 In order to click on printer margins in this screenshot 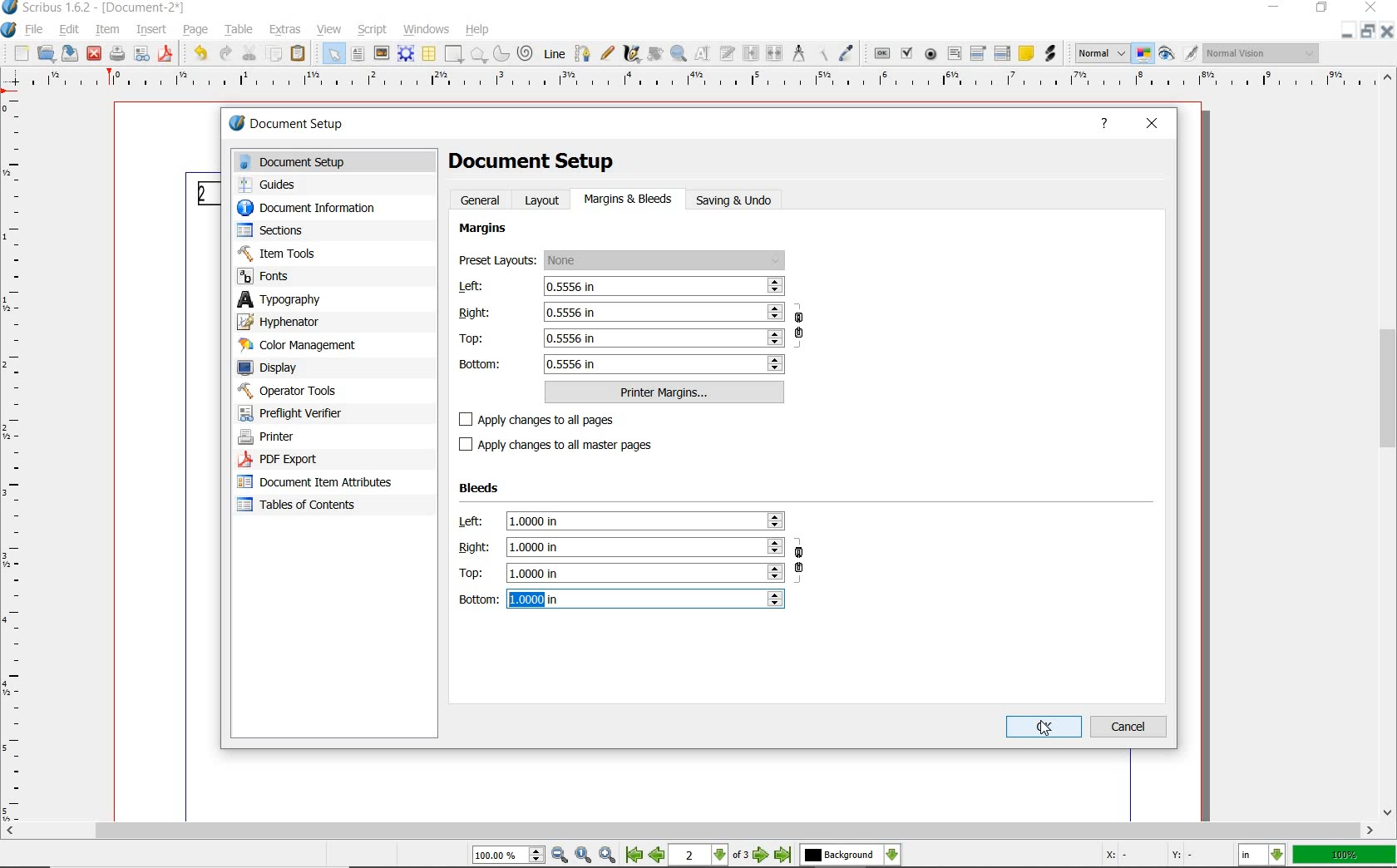, I will do `click(665, 392)`.